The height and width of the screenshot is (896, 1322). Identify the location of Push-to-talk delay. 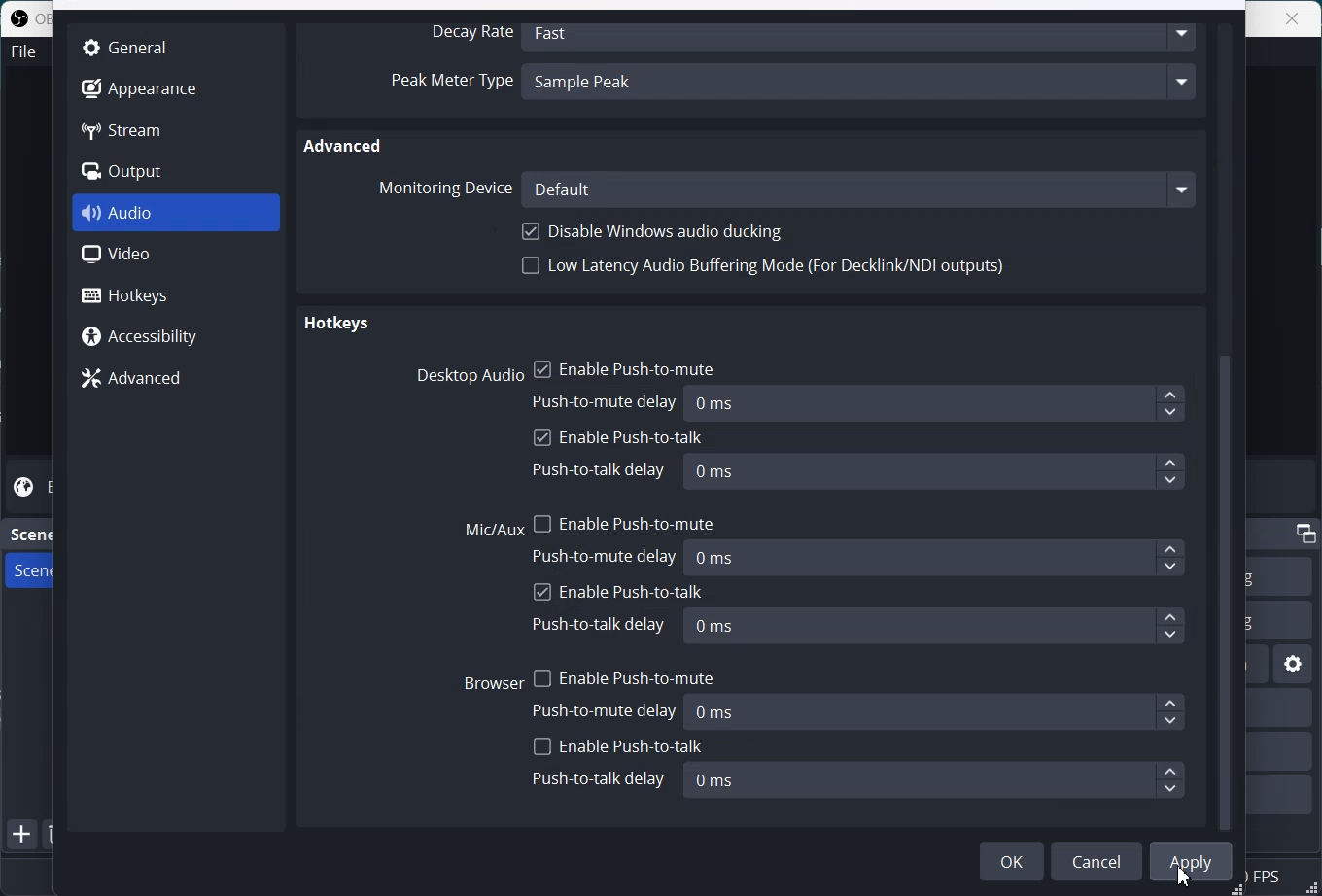
(599, 779).